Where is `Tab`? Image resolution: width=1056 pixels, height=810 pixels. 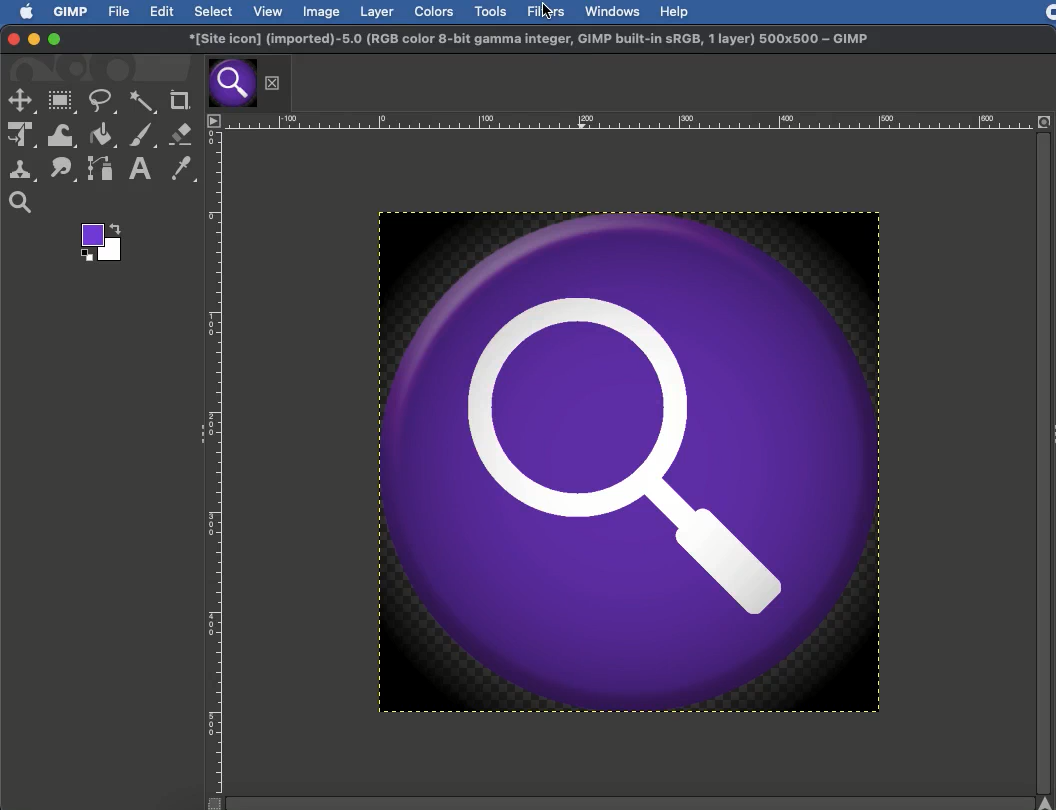 Tab is located at coordinates (231, 83).